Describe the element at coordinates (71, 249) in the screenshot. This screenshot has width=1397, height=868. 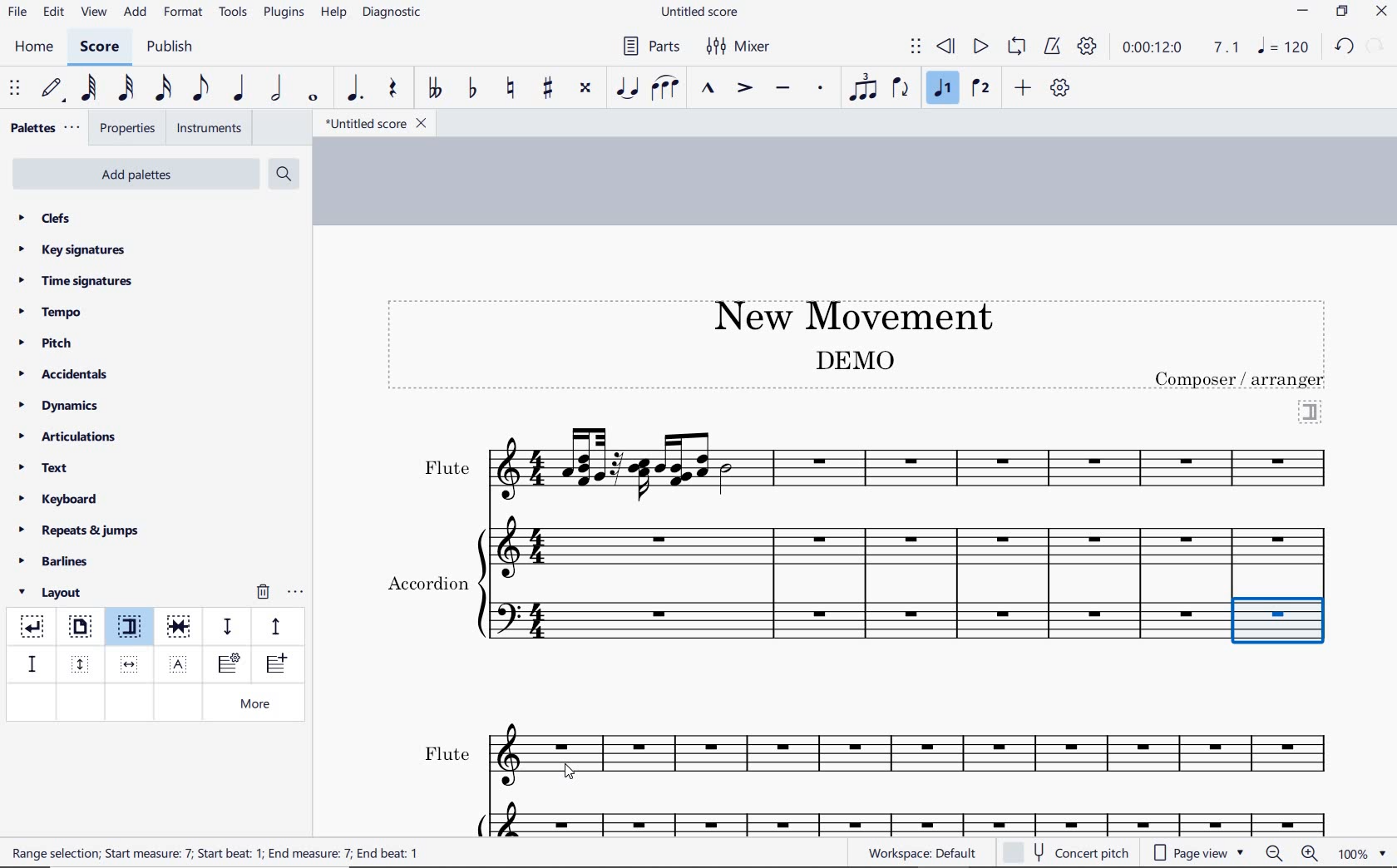
I see `key signatures` at that location.